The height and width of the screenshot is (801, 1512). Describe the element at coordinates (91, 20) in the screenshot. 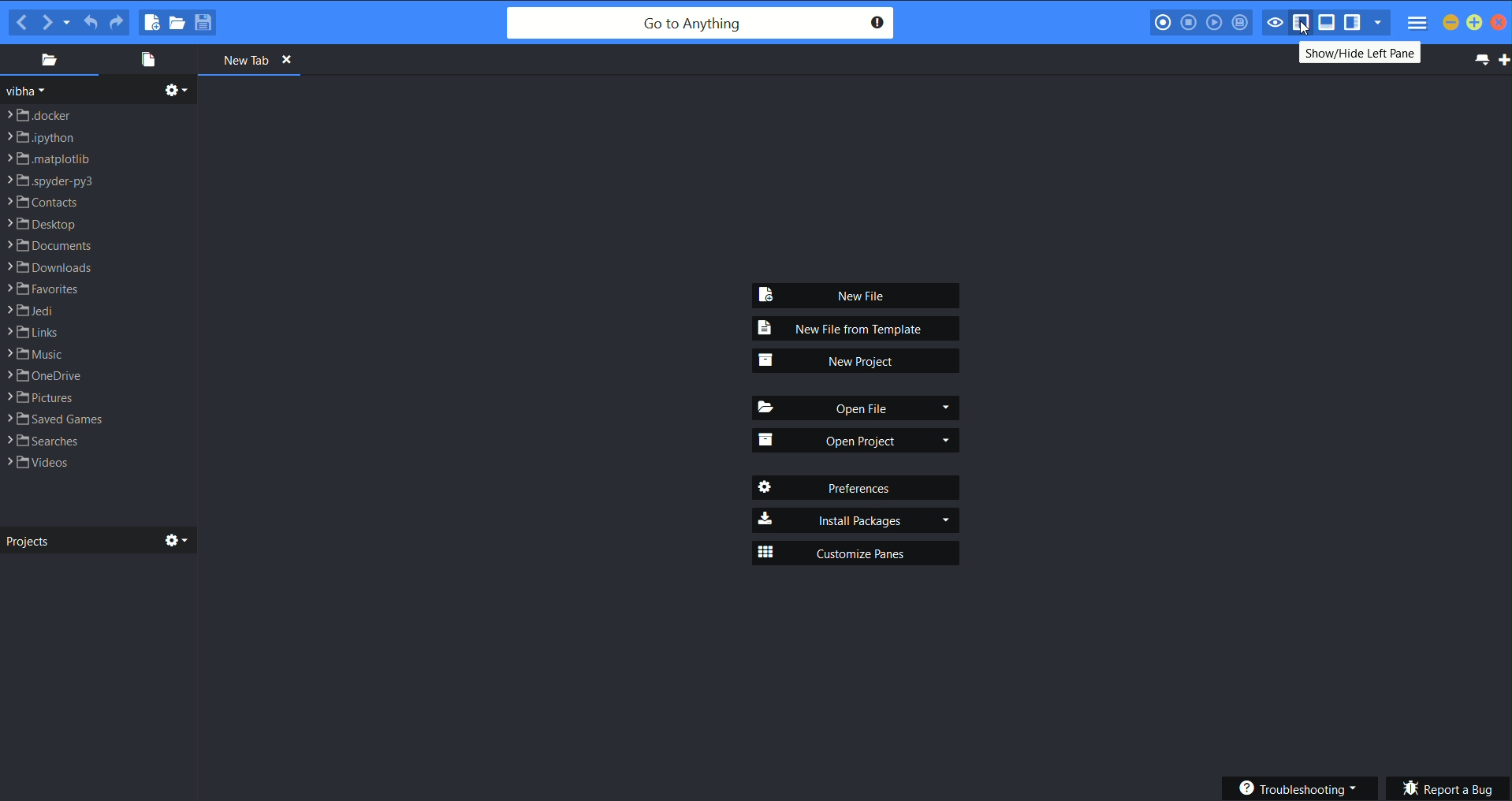

I see `undo ` at that location.